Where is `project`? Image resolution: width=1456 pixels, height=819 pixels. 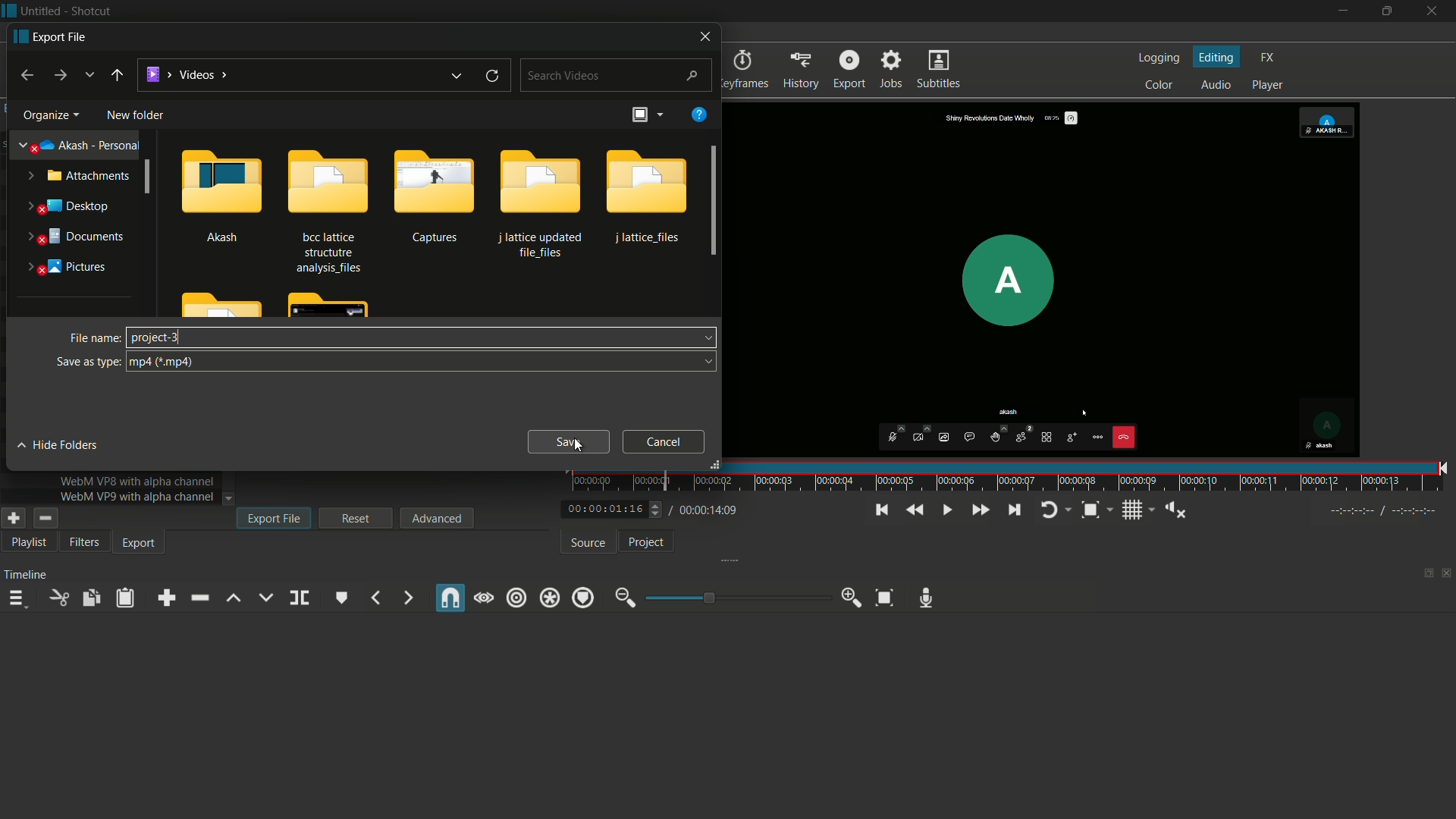
project is located at coordinates (645, 542).